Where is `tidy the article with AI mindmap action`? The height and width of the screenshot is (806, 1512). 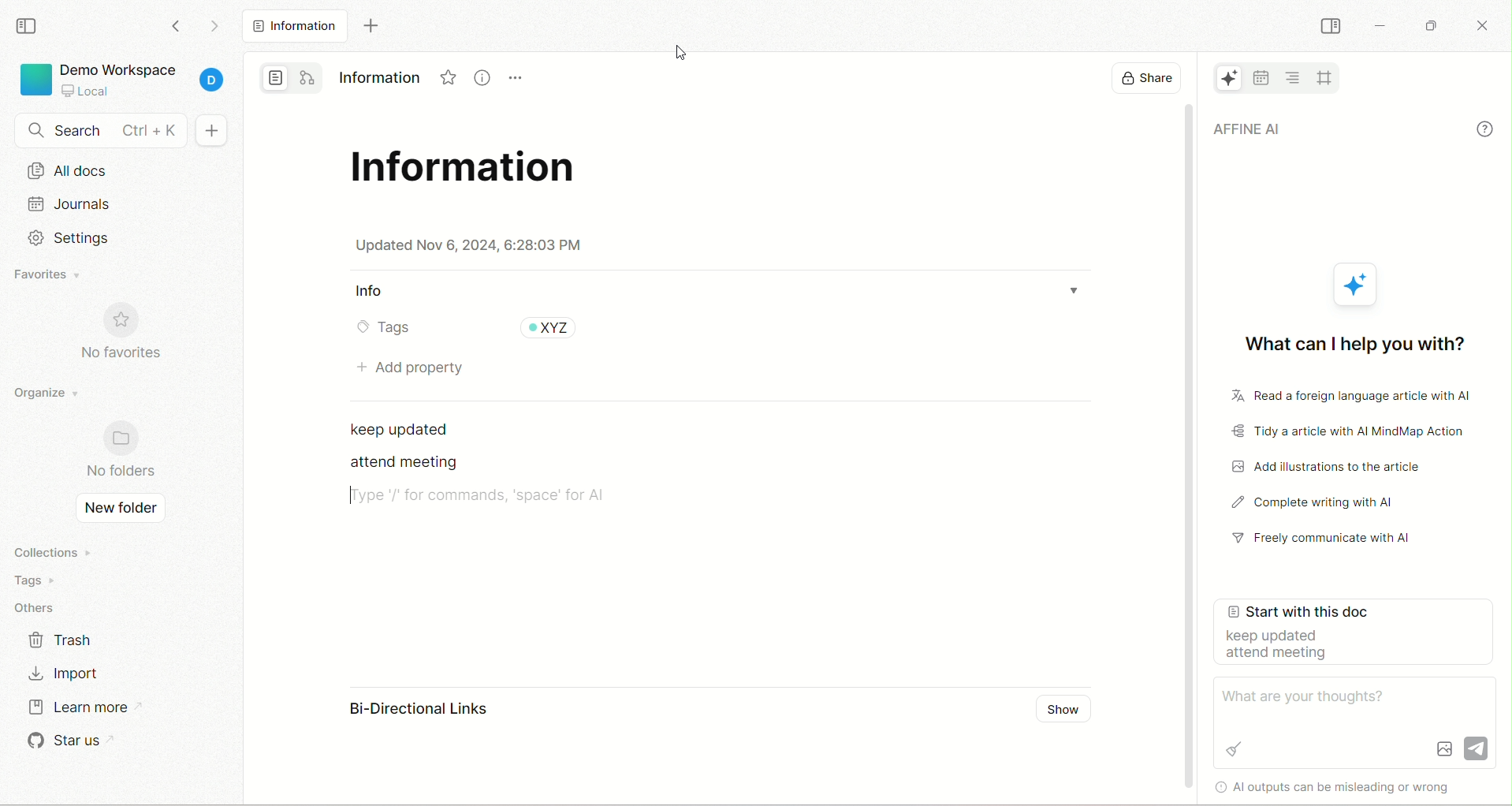 tidy the article with AI mindmap action is located at coordinates (1350, 433).